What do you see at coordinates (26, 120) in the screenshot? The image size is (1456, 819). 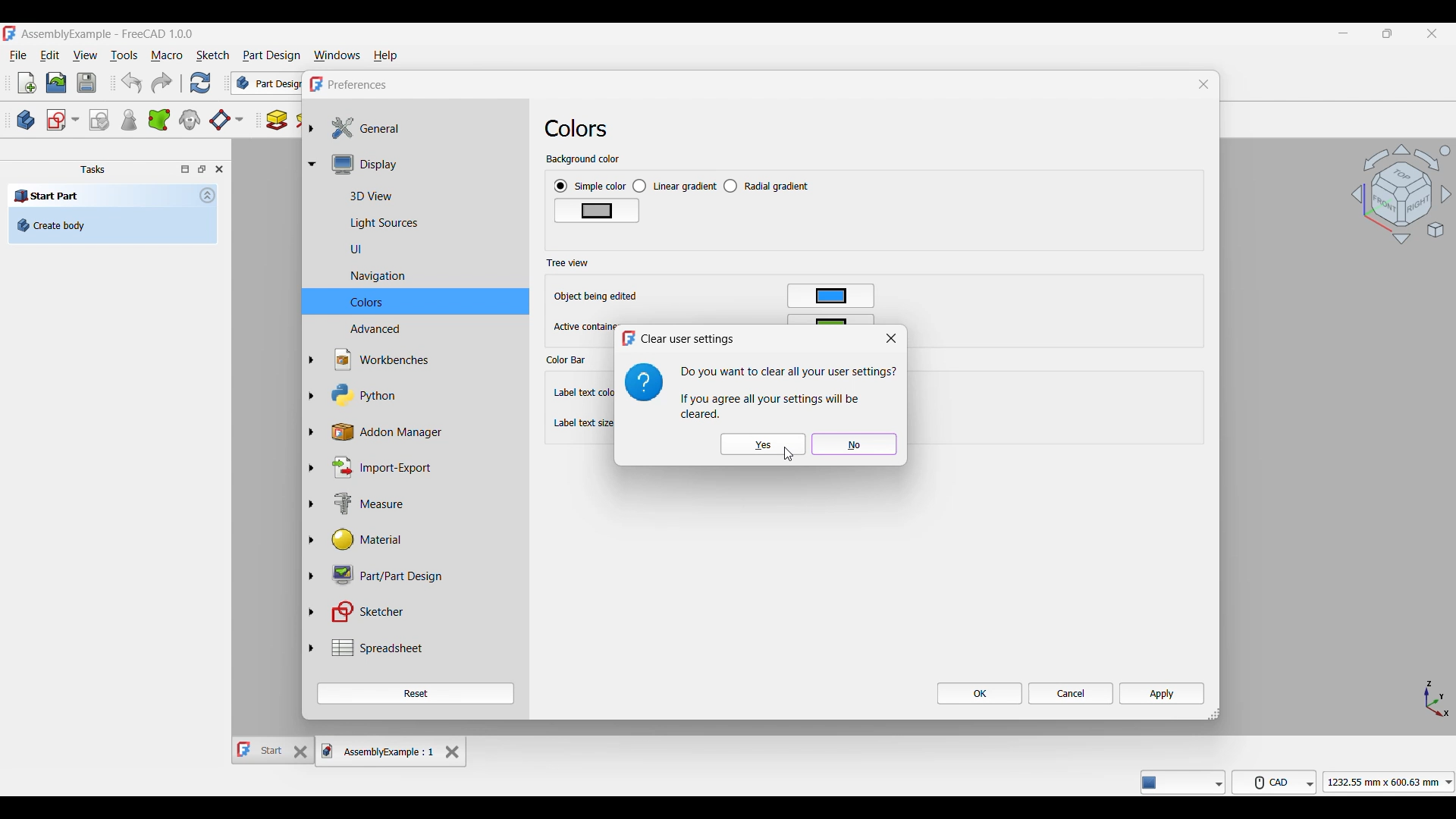 I see `Create body` at bounding box center [26, 120].